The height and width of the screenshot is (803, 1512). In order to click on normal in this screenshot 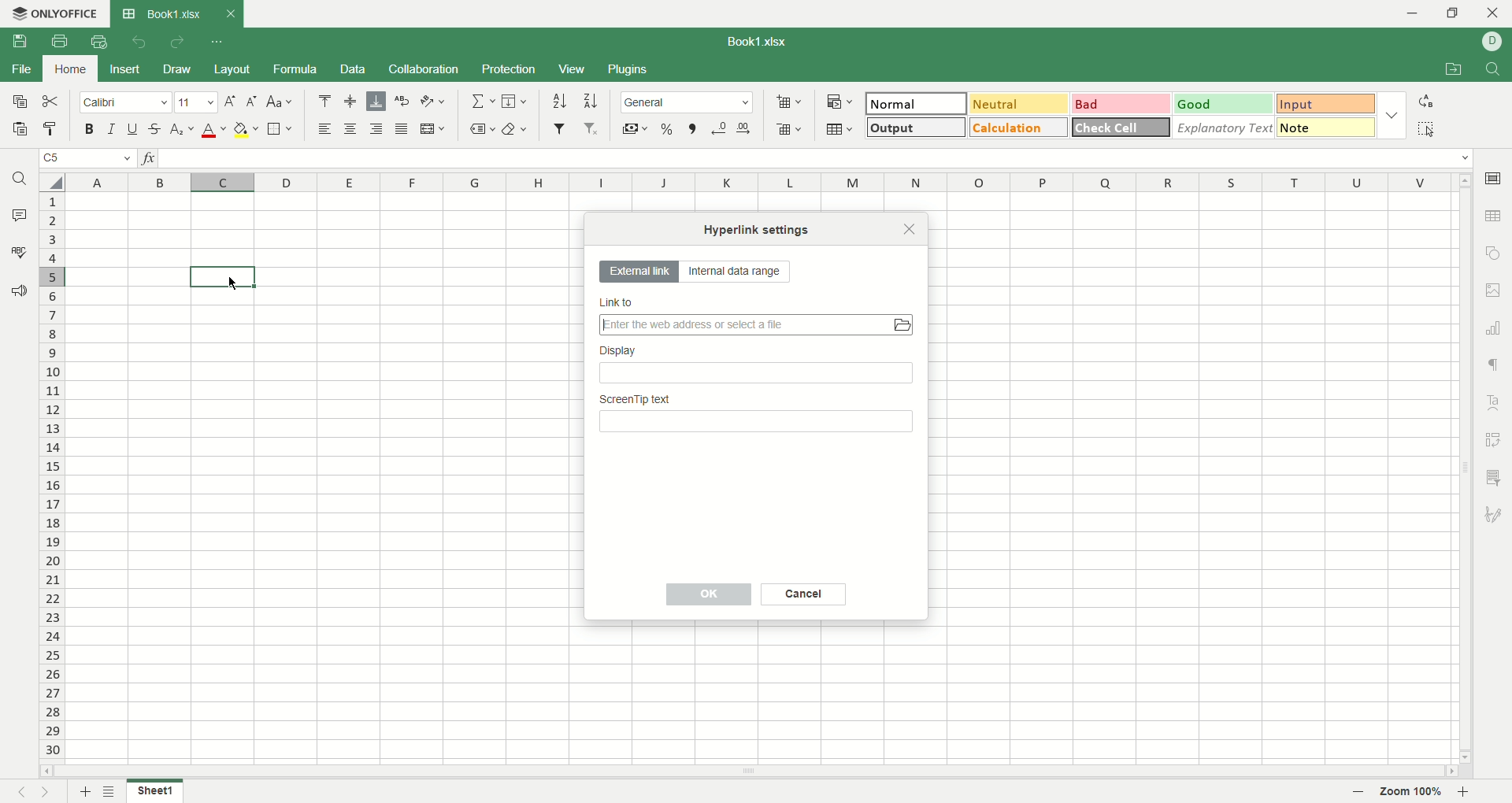, I will do `click(917, 103)`.